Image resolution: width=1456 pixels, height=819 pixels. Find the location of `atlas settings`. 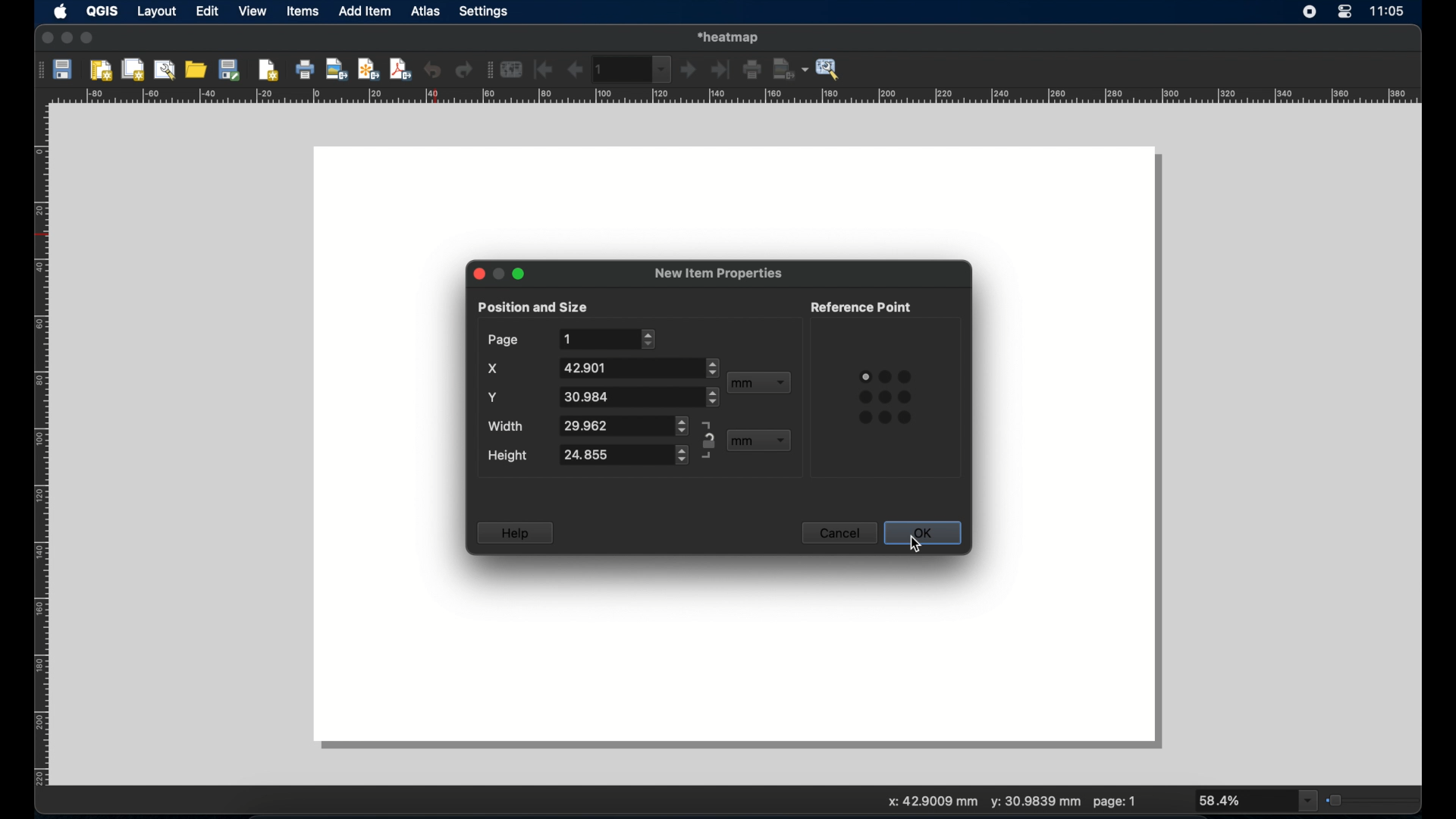

atlas settings is located at coordinates (829, 70).